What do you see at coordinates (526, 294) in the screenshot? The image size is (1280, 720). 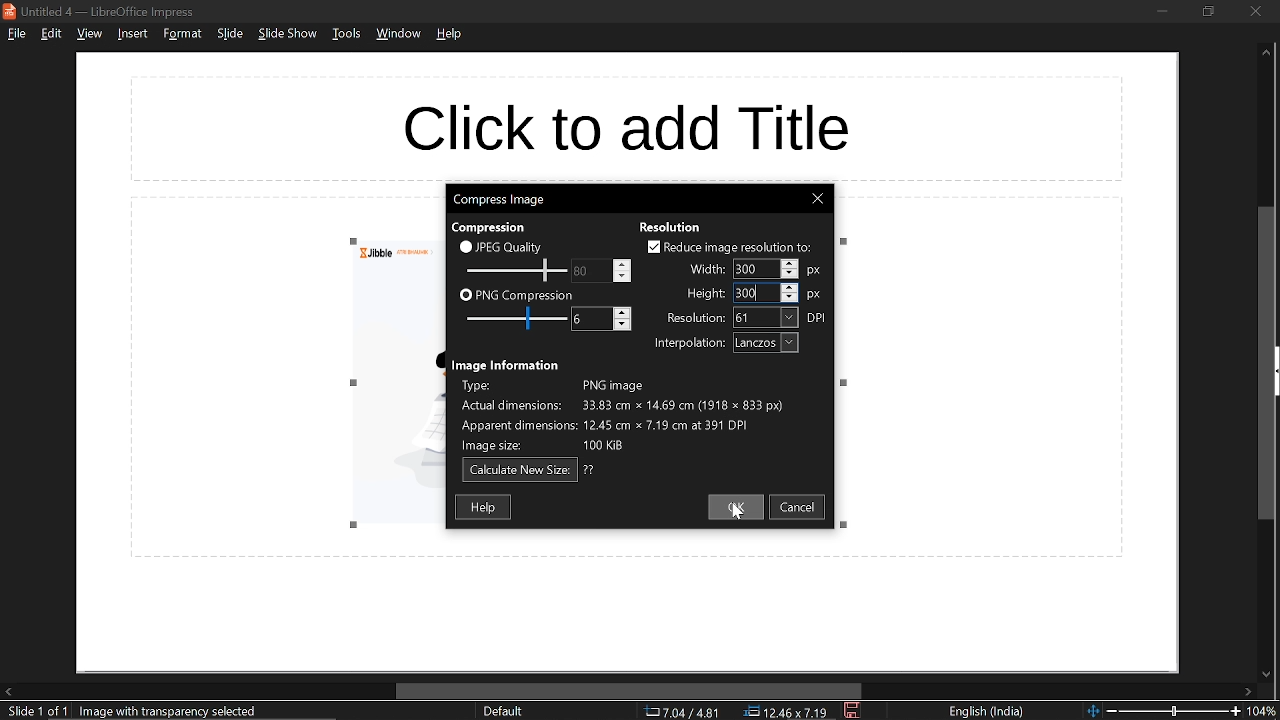 I see `PNG compression` at bounding box center [526, 294].